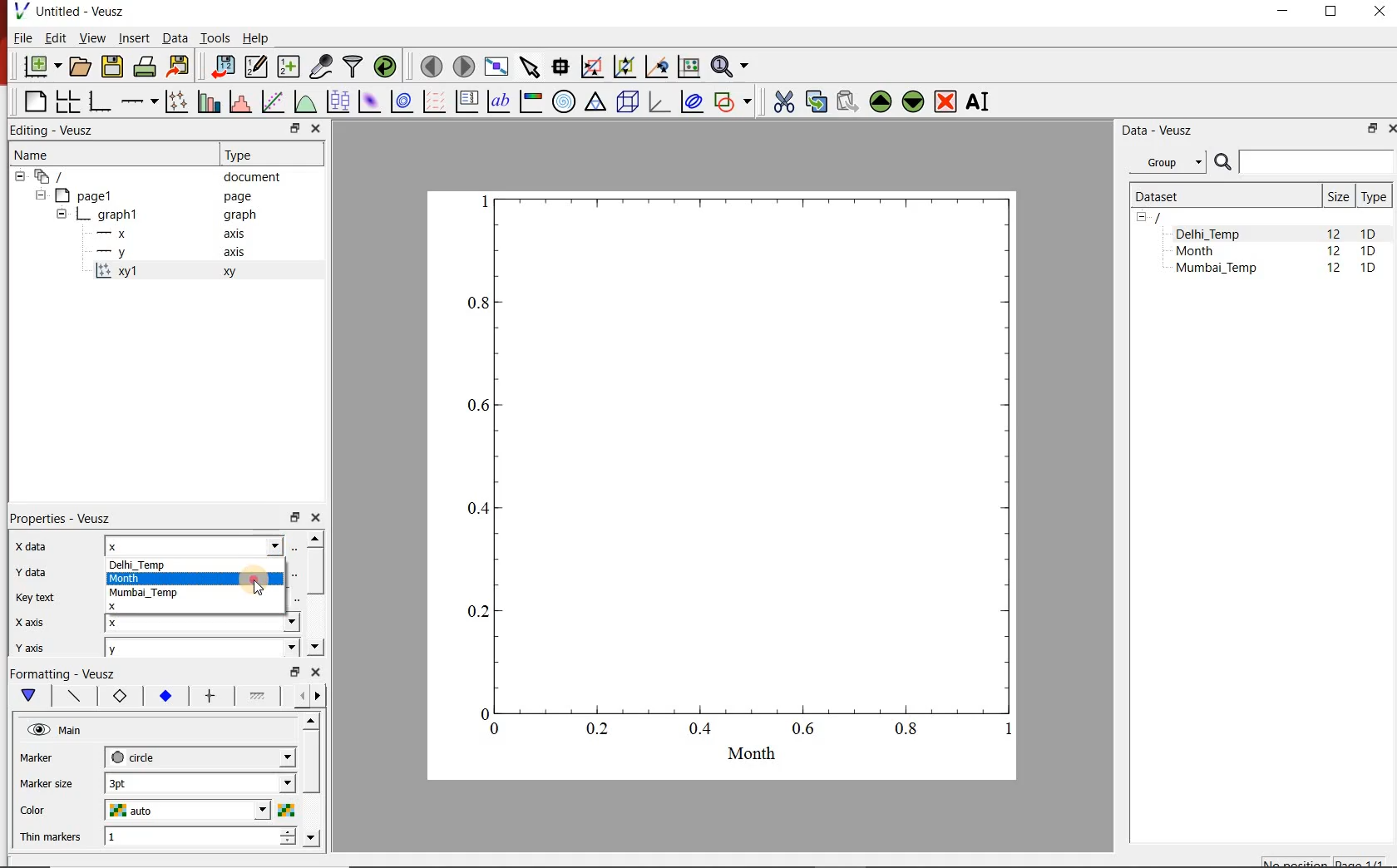 This screenshot has height=868, width=1397. I want to click on Grid lines, so click(310, 698).